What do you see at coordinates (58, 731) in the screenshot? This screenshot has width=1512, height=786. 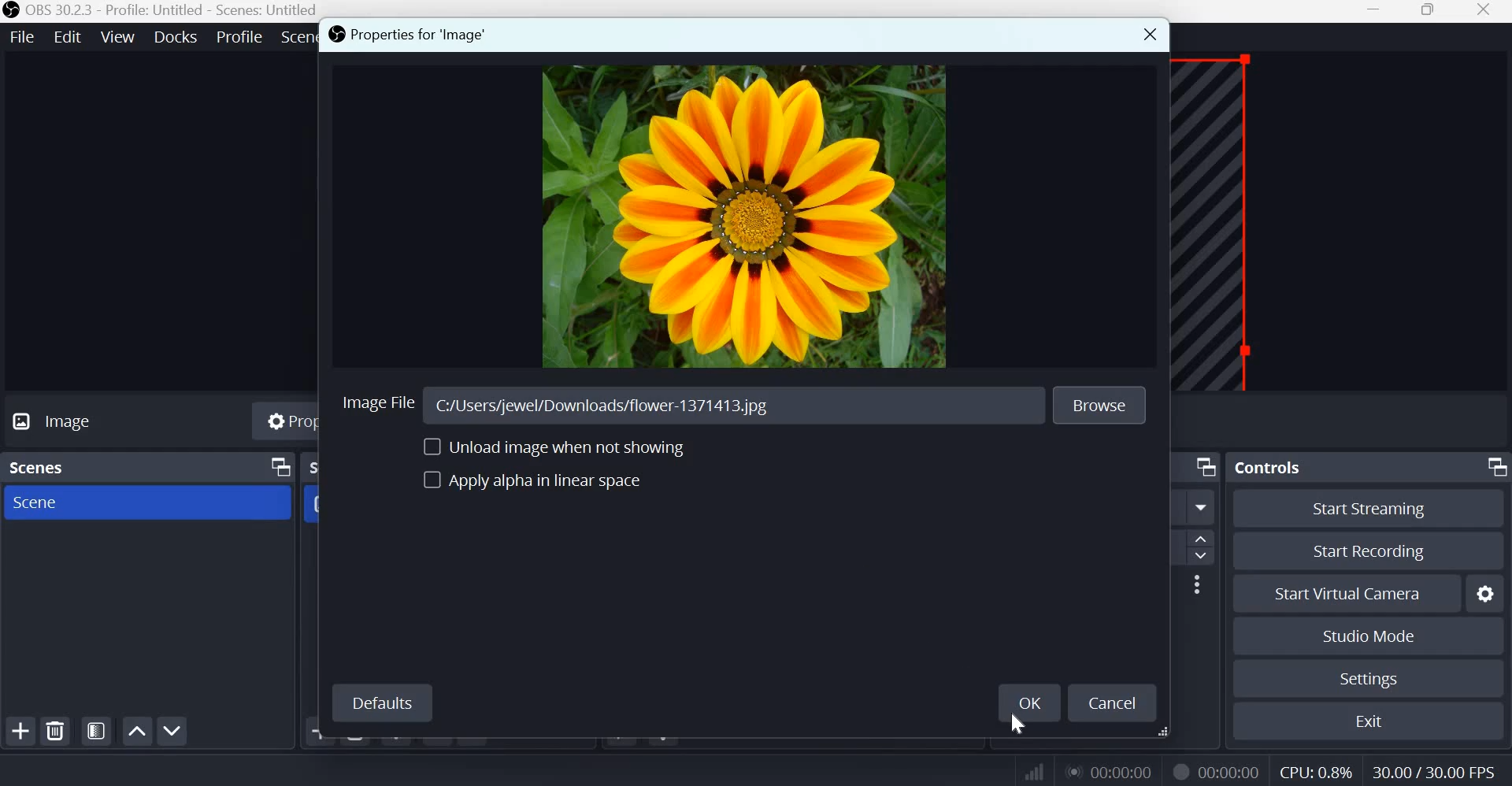 I see `Remove selected scene` at bounding box center [58, 731].